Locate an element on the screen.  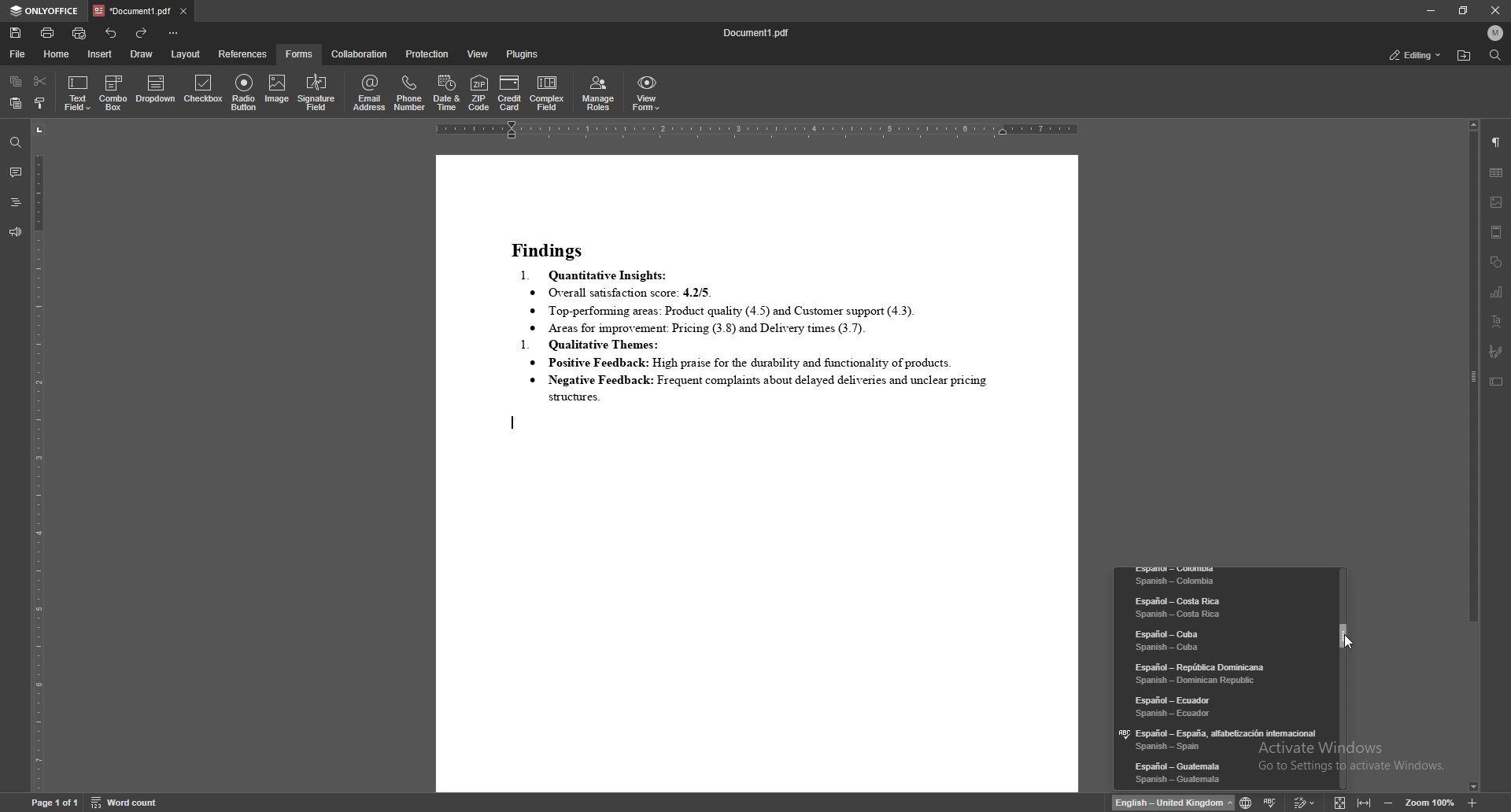
text field is located at coordinates (78, 93).